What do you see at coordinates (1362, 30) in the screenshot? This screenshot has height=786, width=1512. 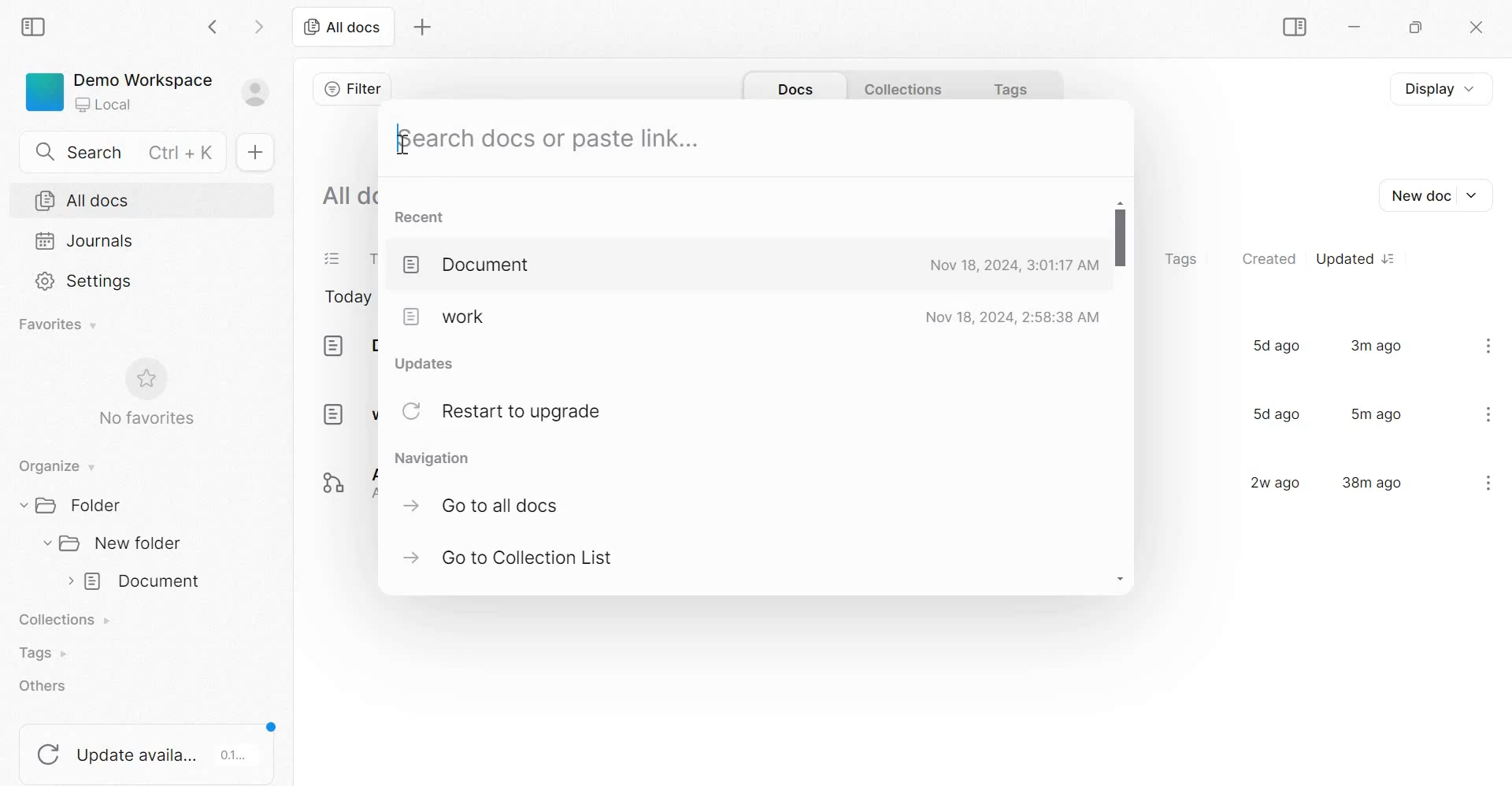 I see `minimize` at bounding box center [1362, 30].